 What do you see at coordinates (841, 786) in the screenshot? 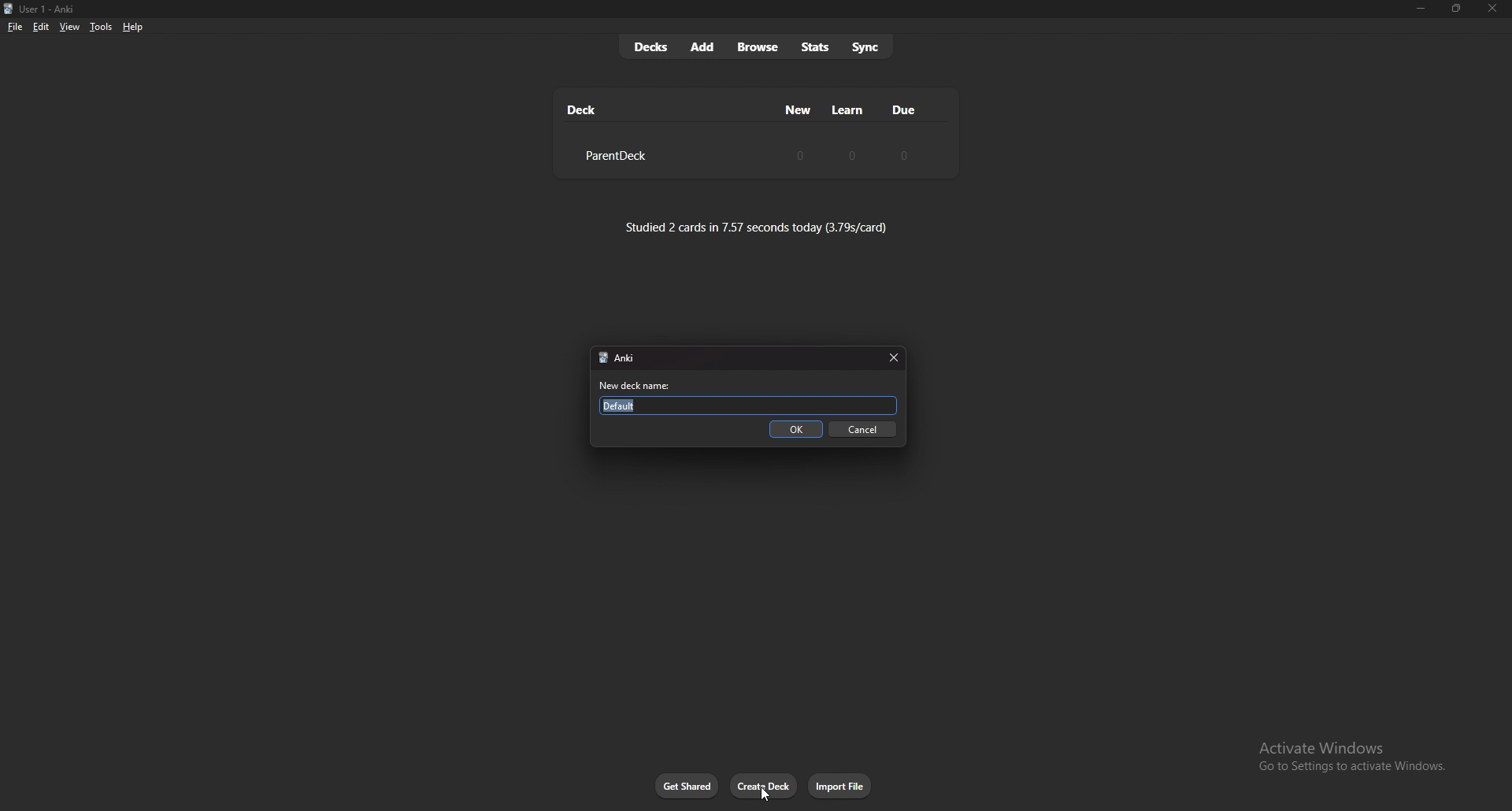
I see `import file` at bounding box center [841, 786].